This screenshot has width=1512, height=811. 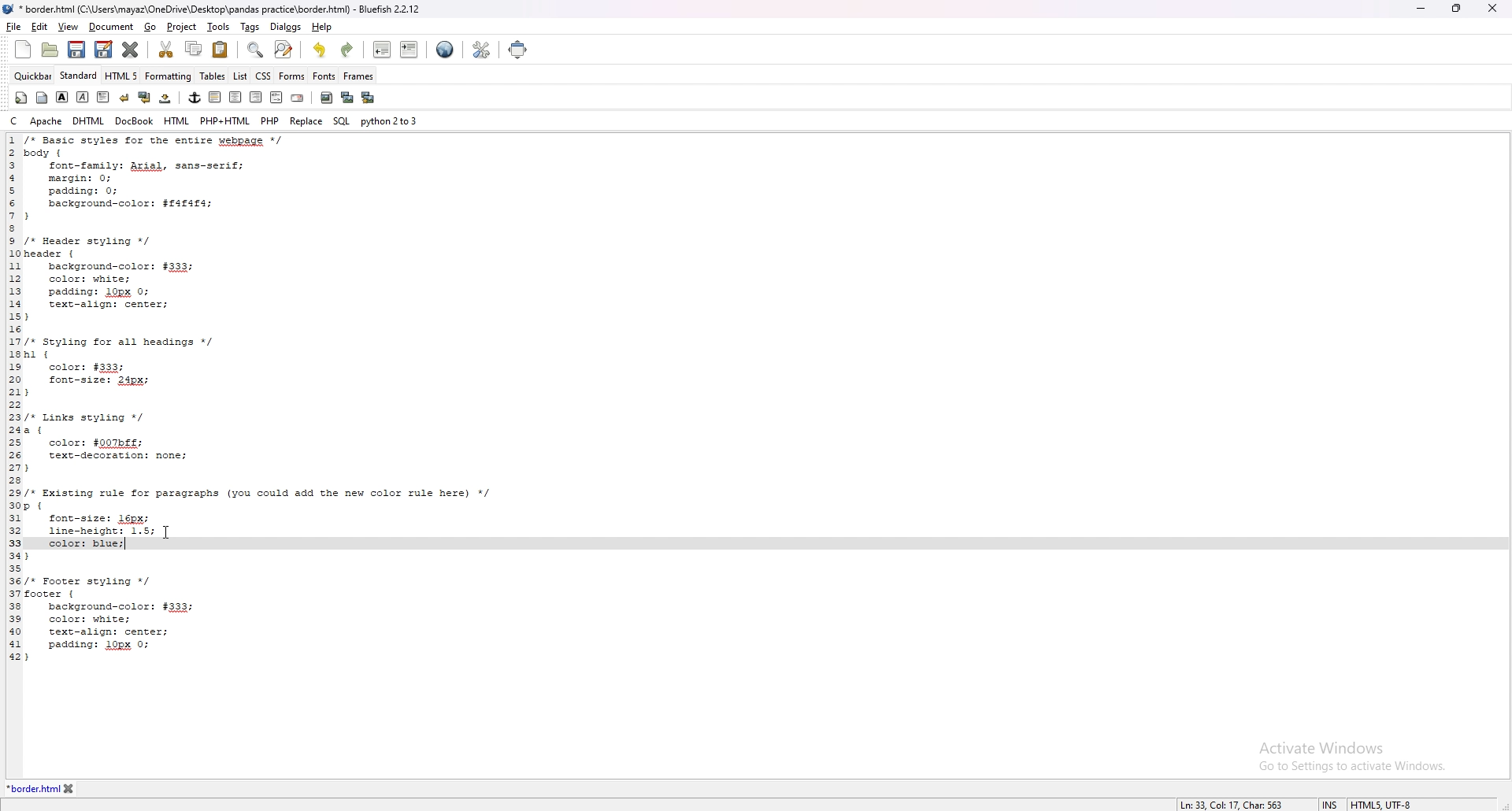 What do you see at coordinates (135, 120) in the screenshot?
I see `docbook` at bounding box center [135, 120].